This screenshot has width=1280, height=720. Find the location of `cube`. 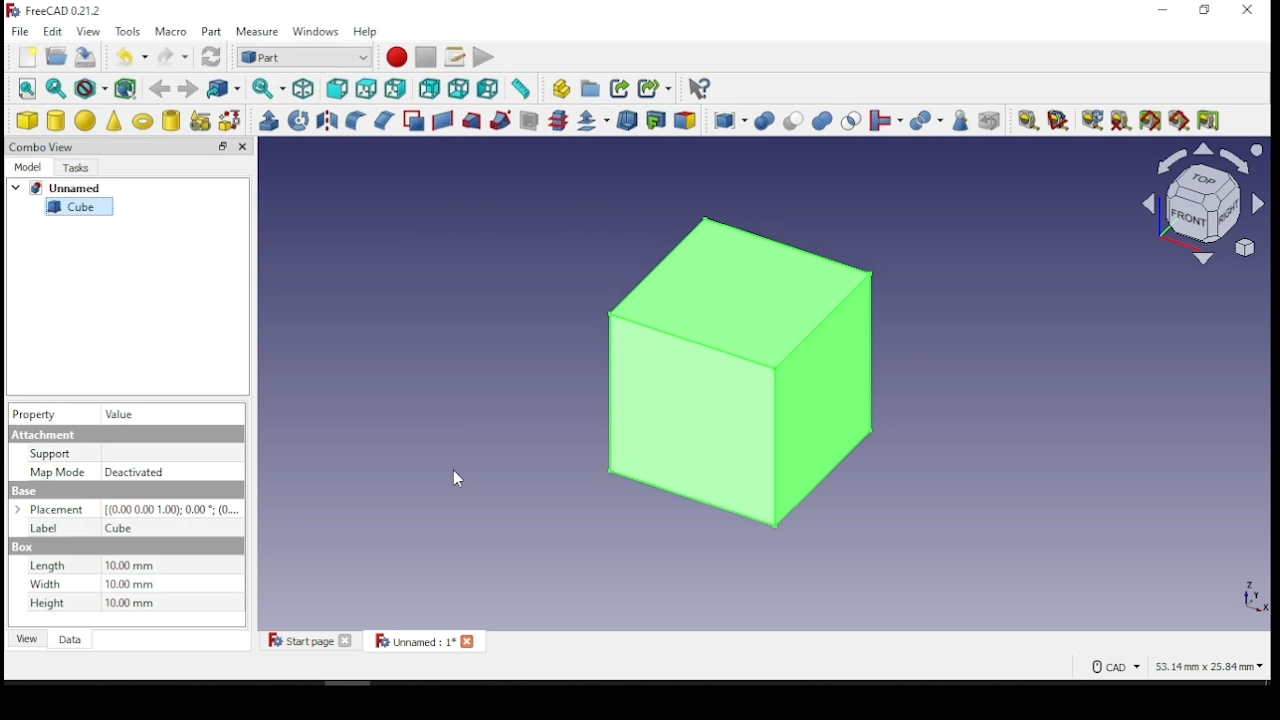

cube is located at coordinates (80, 206).